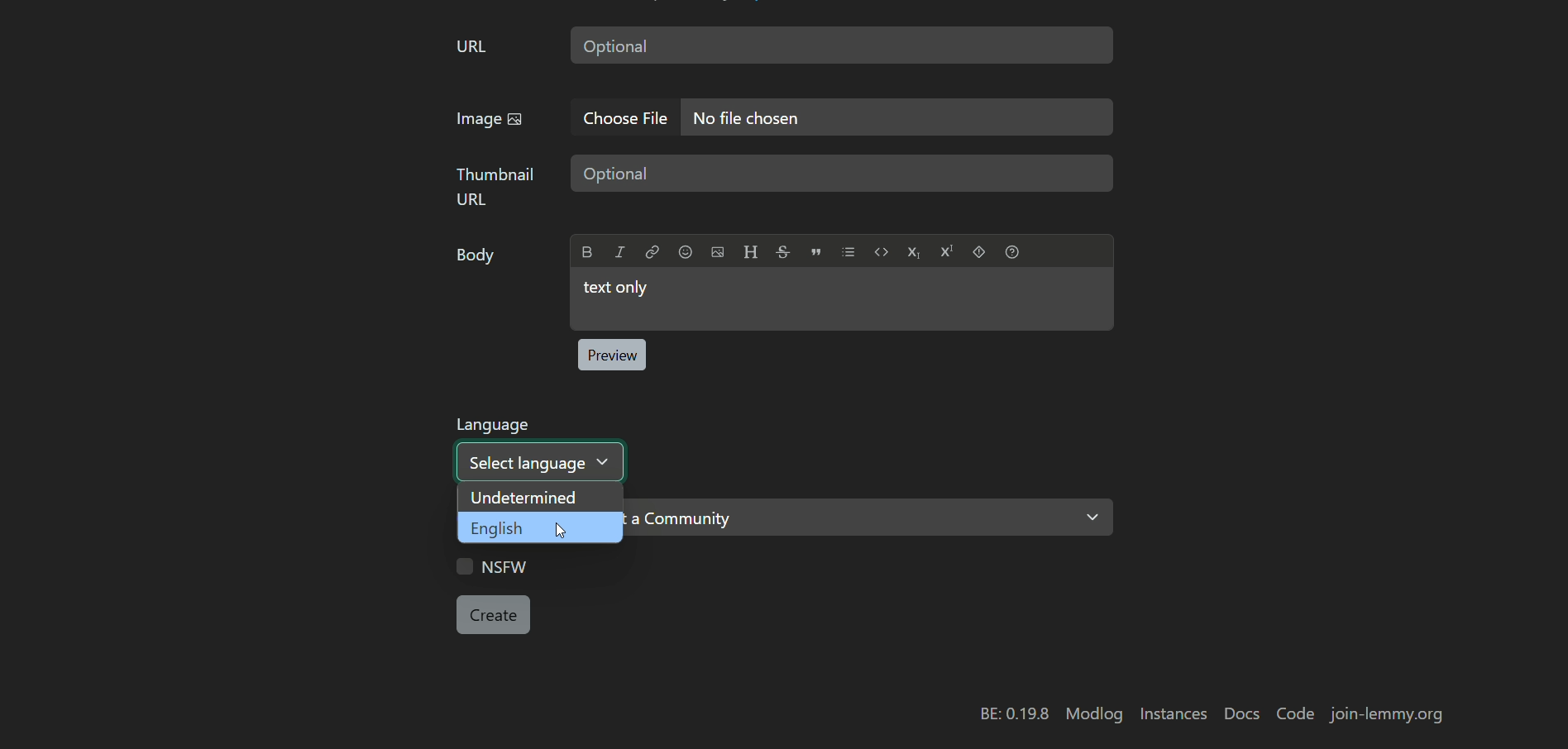  I want to click on thumbnail URL, so click(496, 186).